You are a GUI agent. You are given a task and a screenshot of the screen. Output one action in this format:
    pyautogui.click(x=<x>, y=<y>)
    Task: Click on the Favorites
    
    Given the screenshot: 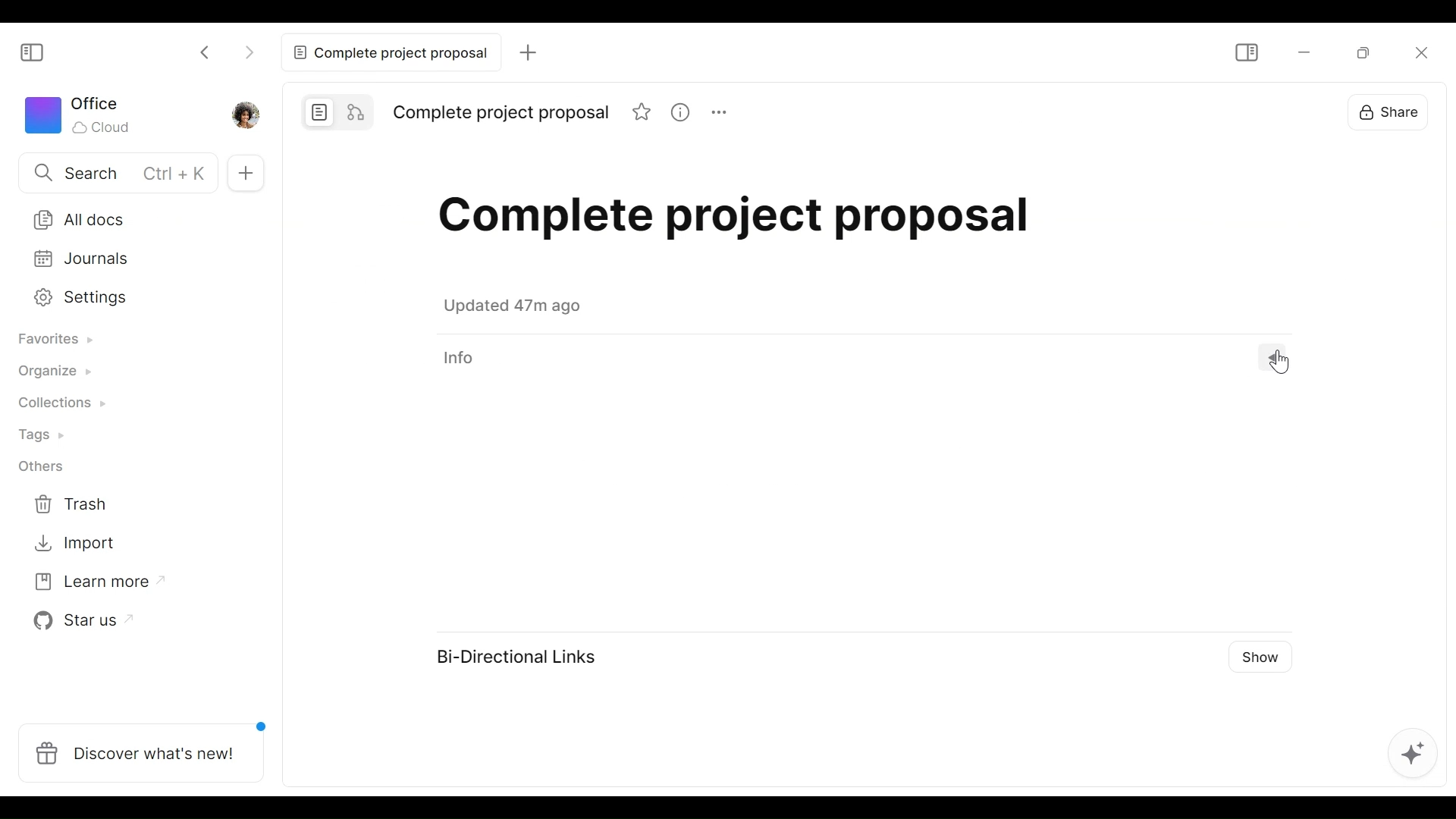 What is the action you would take?
    pyautogui.click(x=61, y=339)
    